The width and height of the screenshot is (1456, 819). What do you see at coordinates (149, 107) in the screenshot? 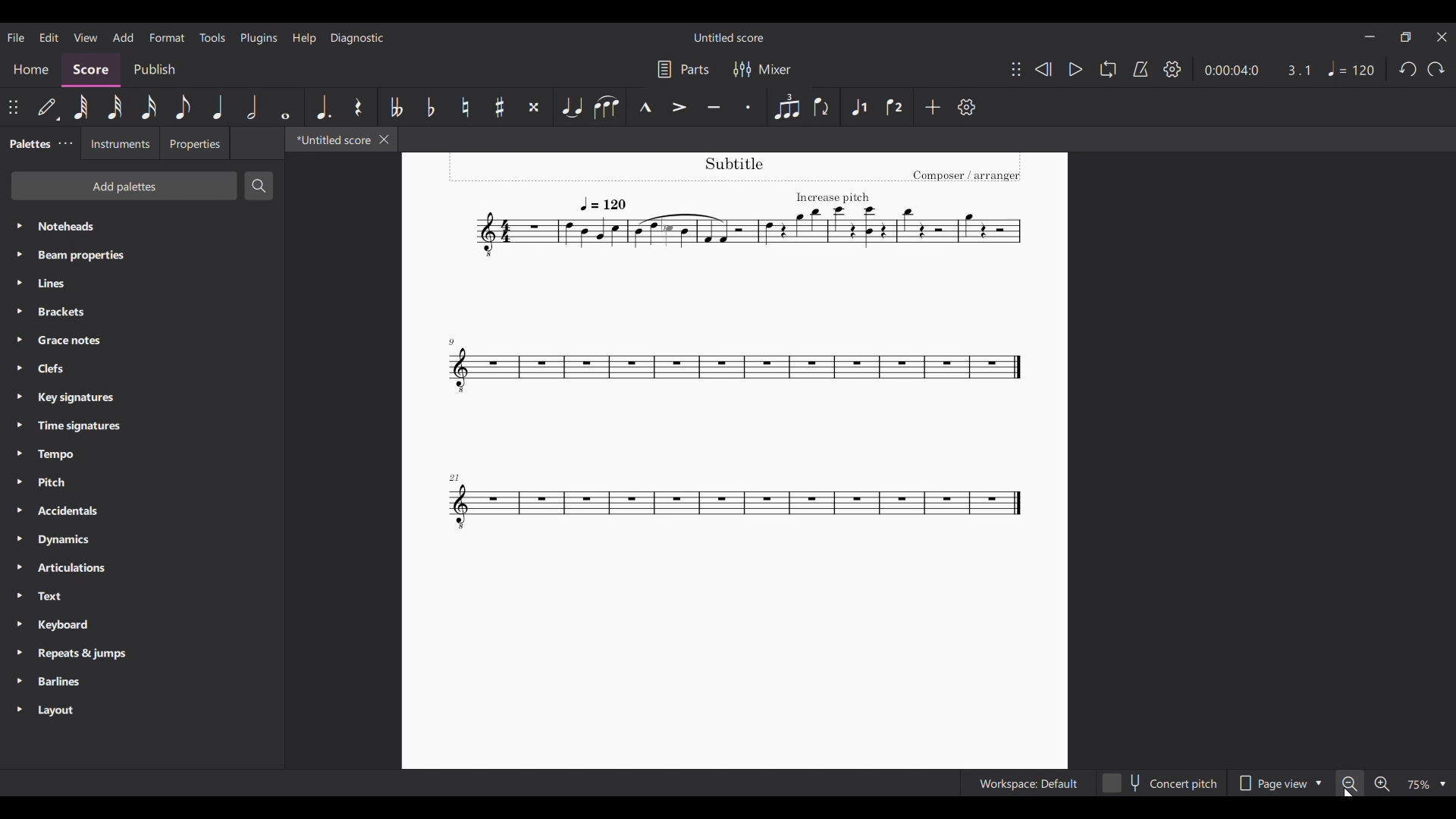
I see `16th note` at bounding box center [149, 107].